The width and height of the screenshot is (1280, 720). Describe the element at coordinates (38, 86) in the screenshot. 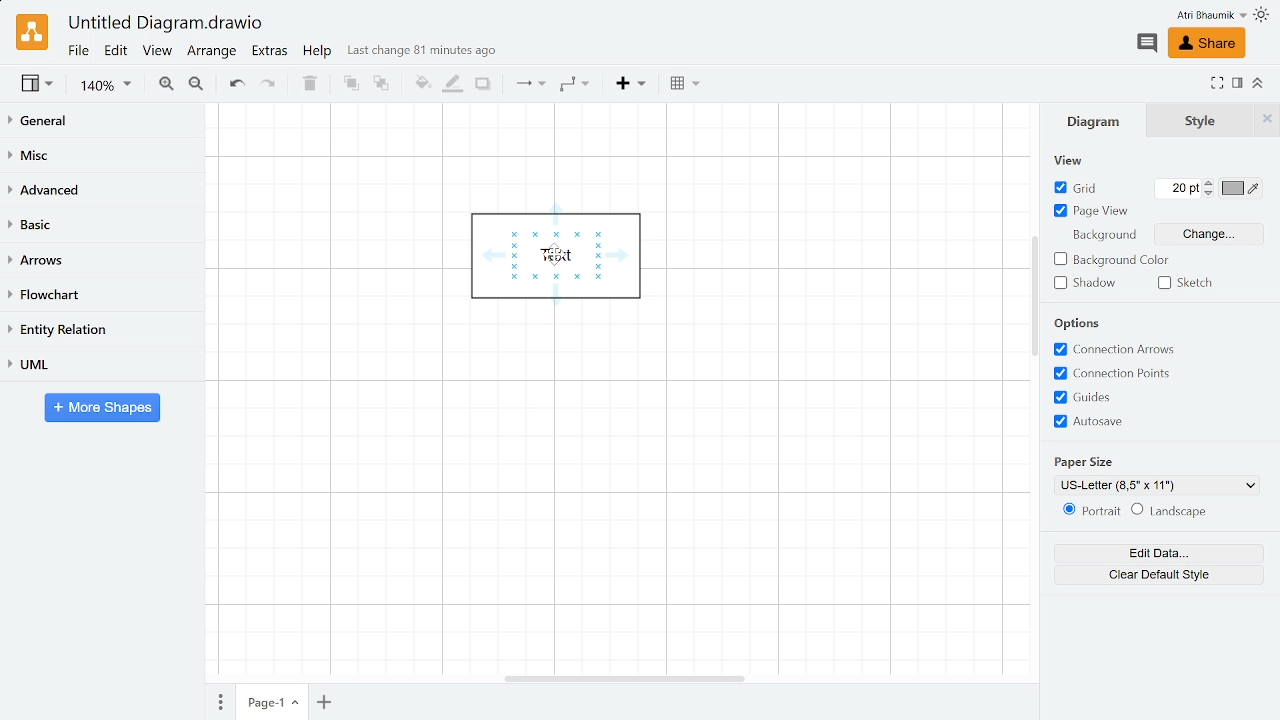

I see `View` at that location.